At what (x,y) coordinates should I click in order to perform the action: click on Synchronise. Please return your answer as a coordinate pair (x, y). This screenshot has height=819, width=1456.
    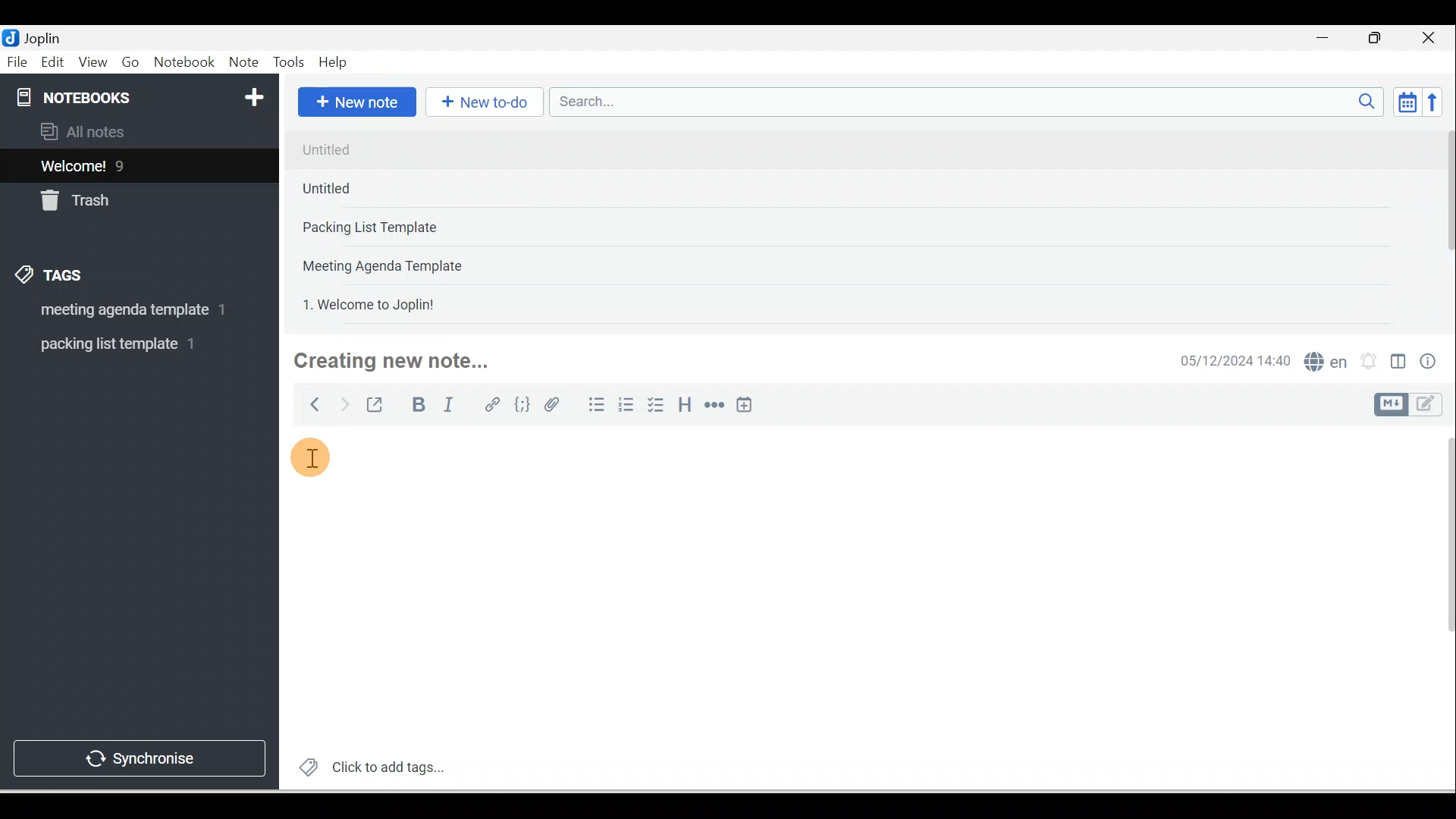
    Looking at the image, I should click on (138, 755).